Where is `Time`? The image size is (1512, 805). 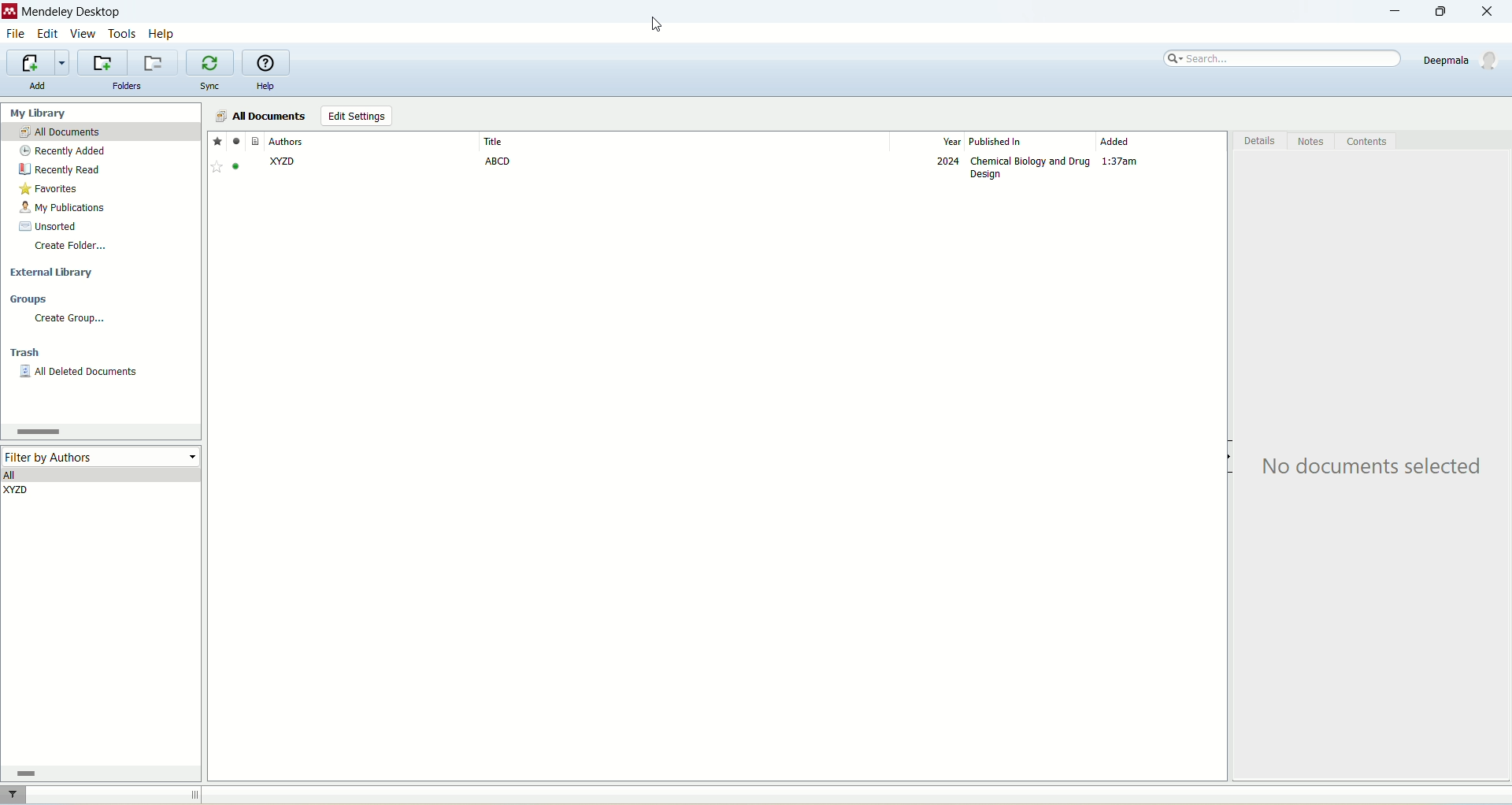
Time is located at coordinates (1130, 162).